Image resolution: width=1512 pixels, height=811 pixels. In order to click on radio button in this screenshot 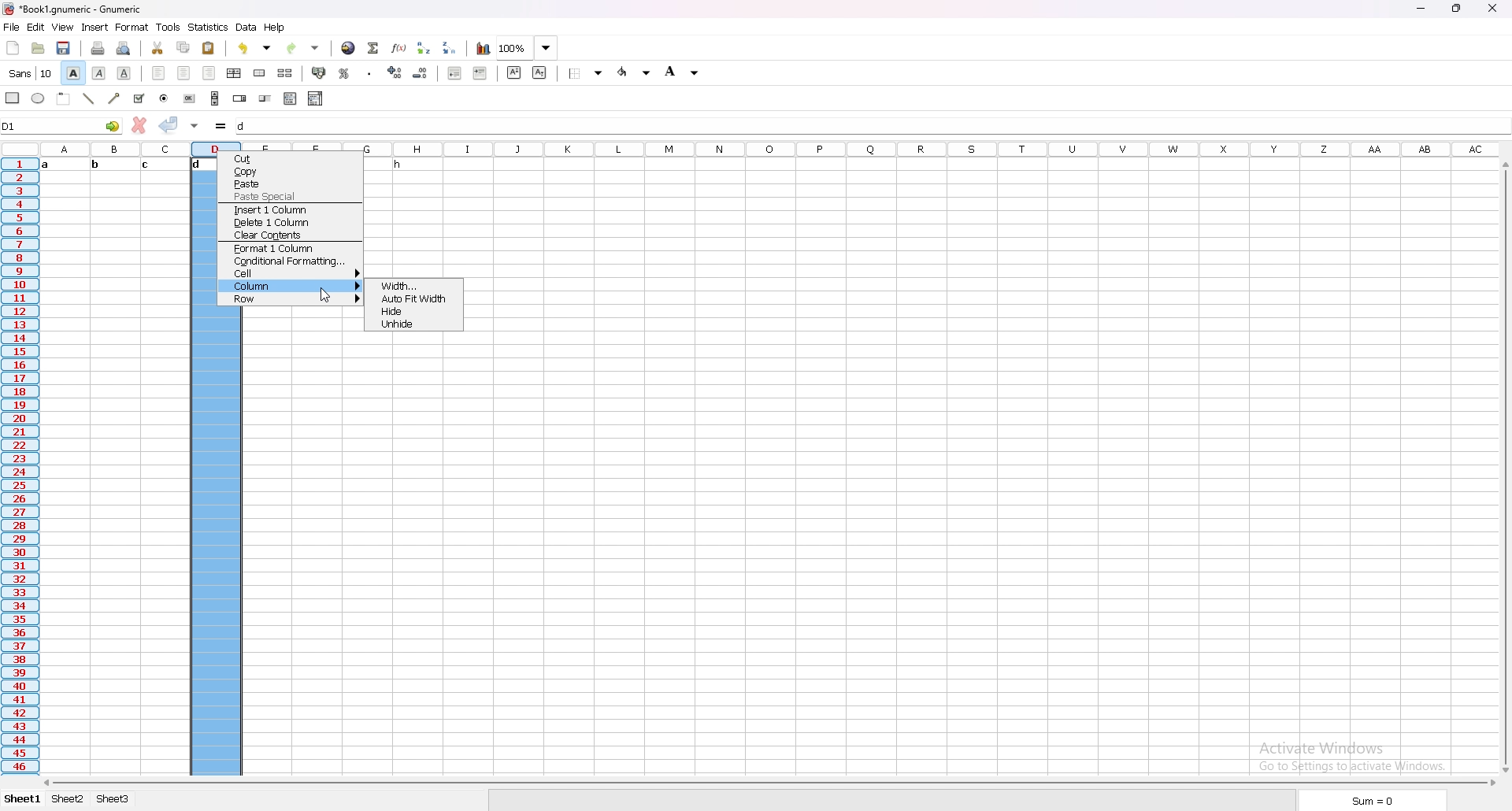, I will do `click(165, 99)`.